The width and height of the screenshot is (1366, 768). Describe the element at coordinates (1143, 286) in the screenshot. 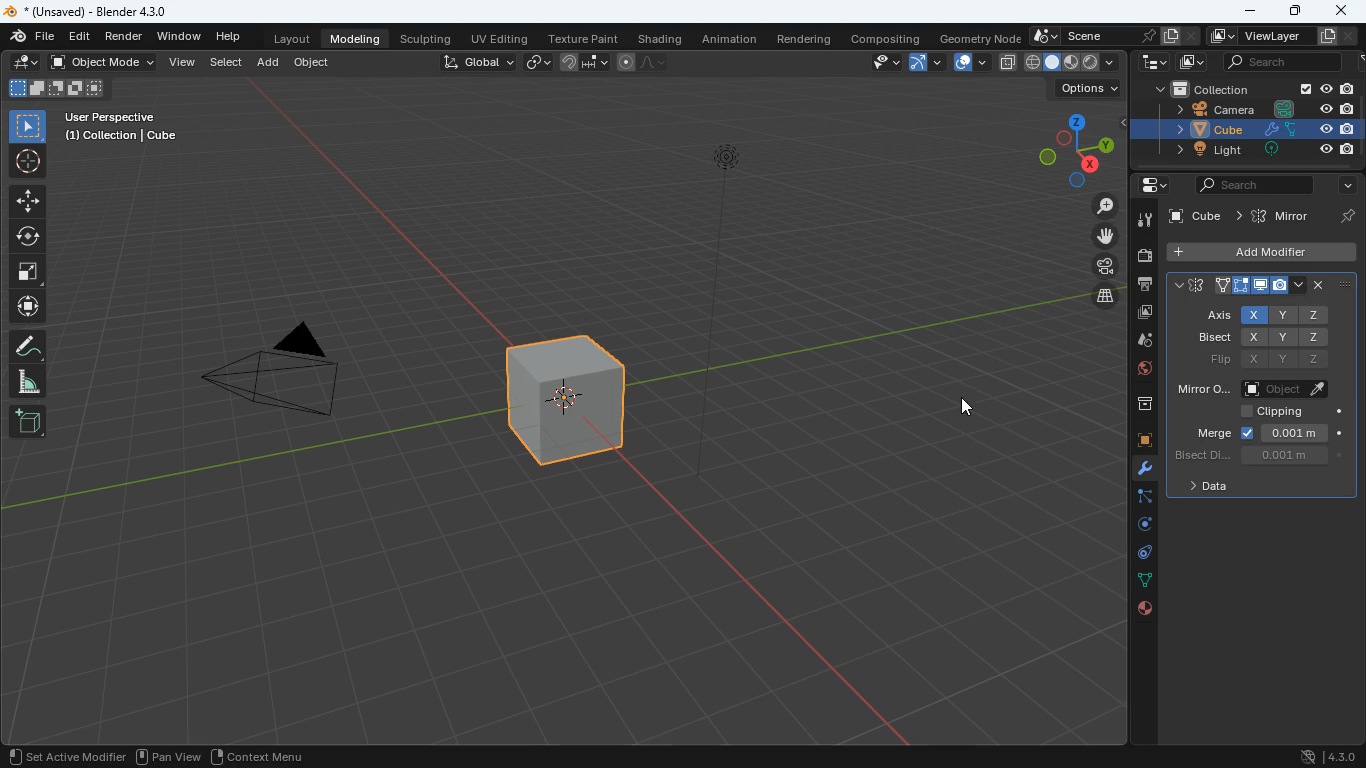

I see `print` at that location.